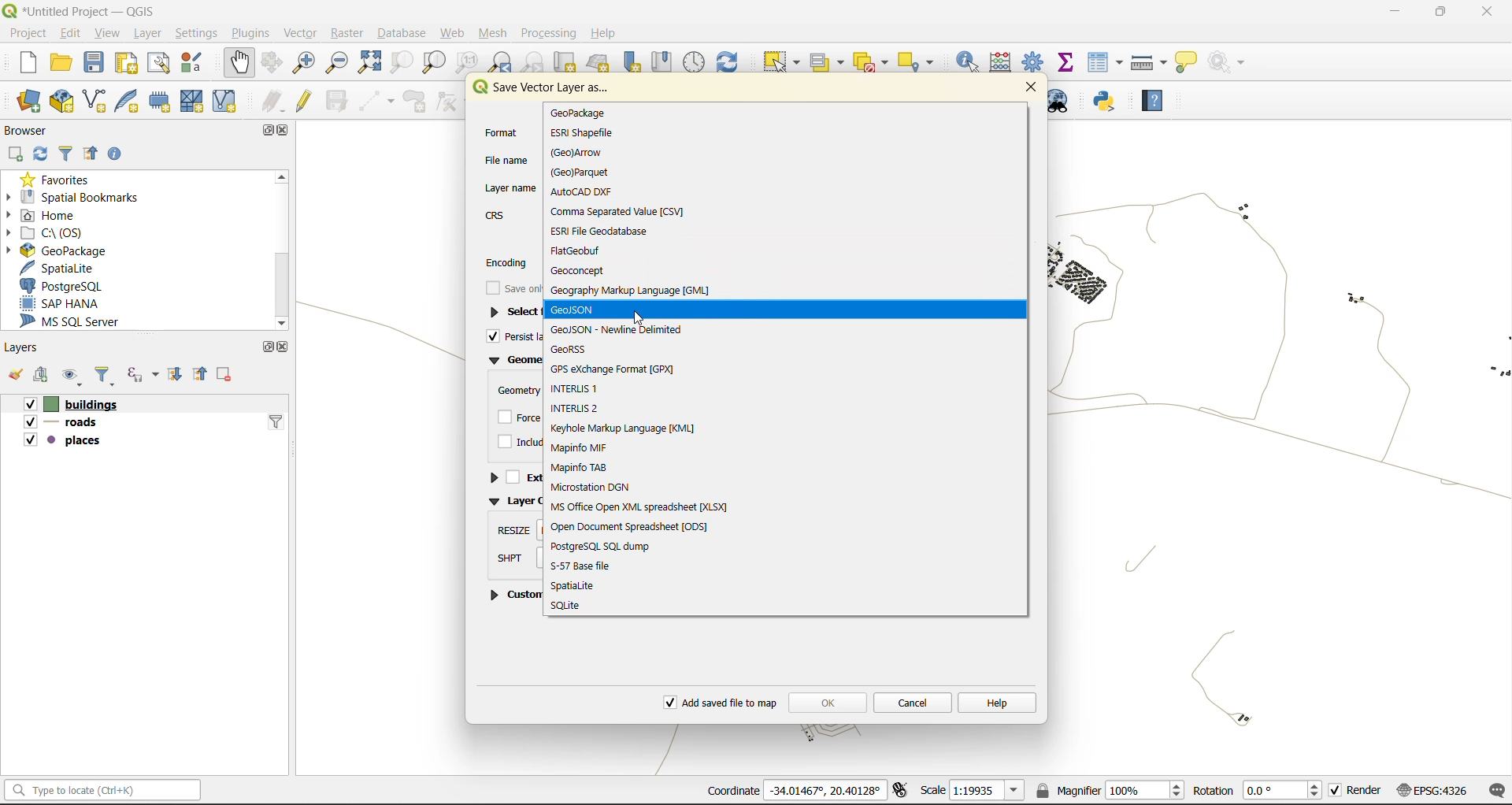 The image size is (1512, 805). Describe the element at coordinates (510, 290) in the screenshot. I see `Save` at that location.